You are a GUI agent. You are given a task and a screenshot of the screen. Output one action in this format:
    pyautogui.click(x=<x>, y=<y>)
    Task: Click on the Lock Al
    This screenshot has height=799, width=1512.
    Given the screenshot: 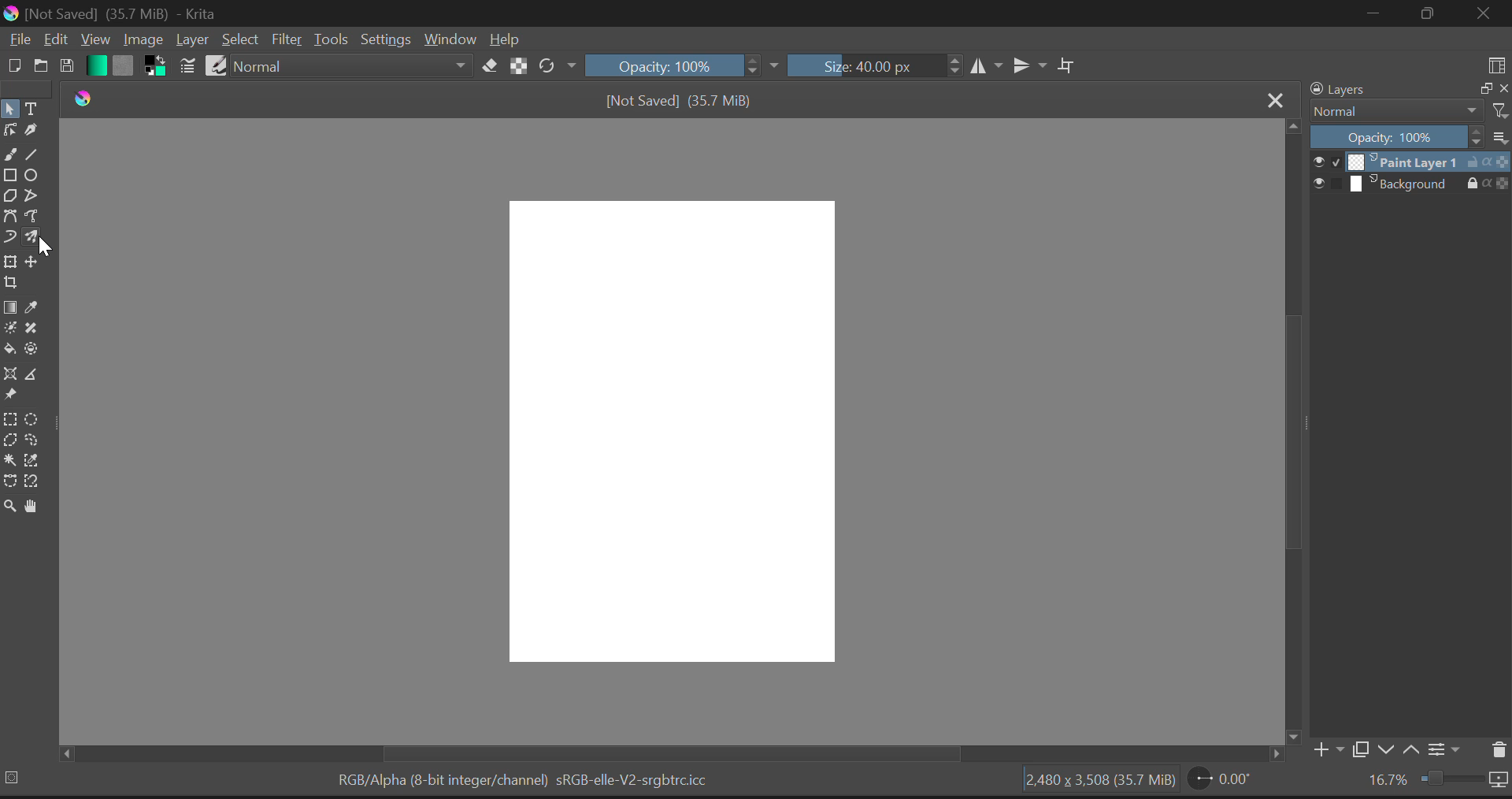 What is the action you would take?
    pyautogui.click(x=517, y=66)
    